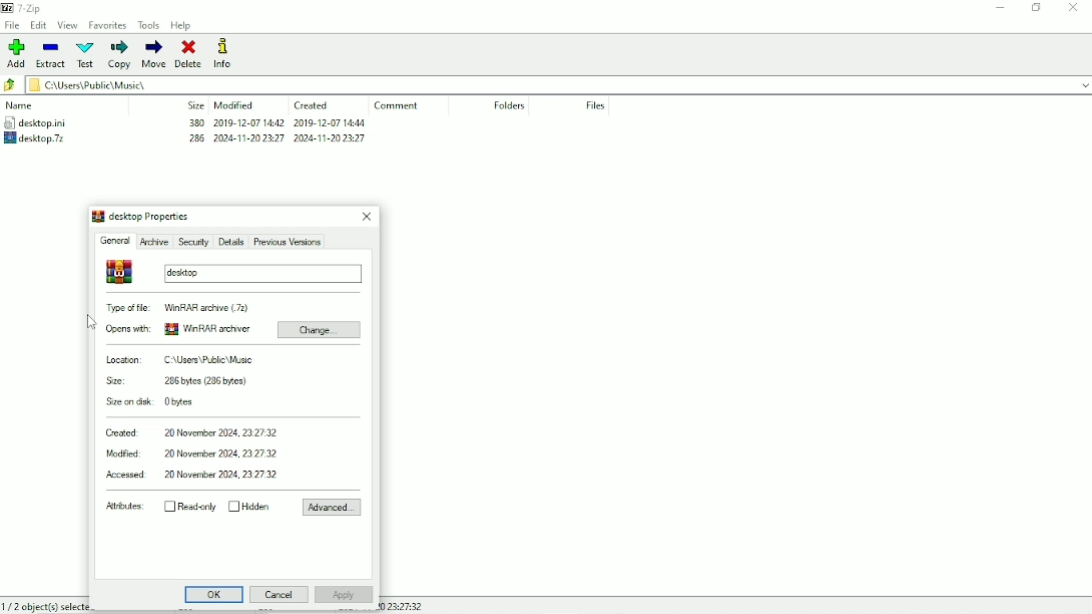 Image resolution: width=1092 pixels, height=614 pixels. What do you see at coordinates (226, 53) in the screenshot?
I see `Info` at bounding box center [226, 53].